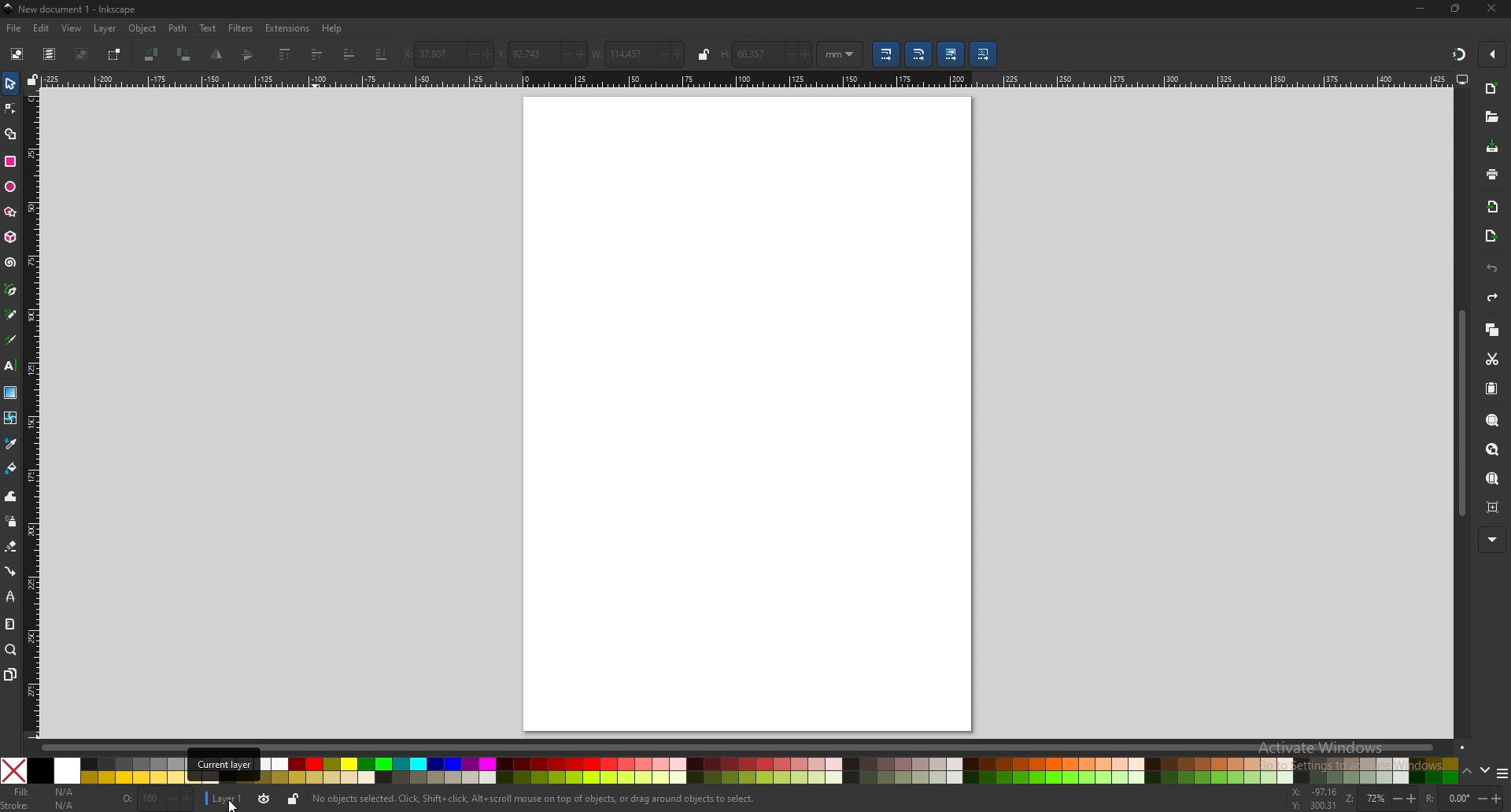 Image resolution: width=1511 pixels, height=812 pixels. Describe the element at coordinates (704, 54) in the screenshot. I see `lock` at that location.